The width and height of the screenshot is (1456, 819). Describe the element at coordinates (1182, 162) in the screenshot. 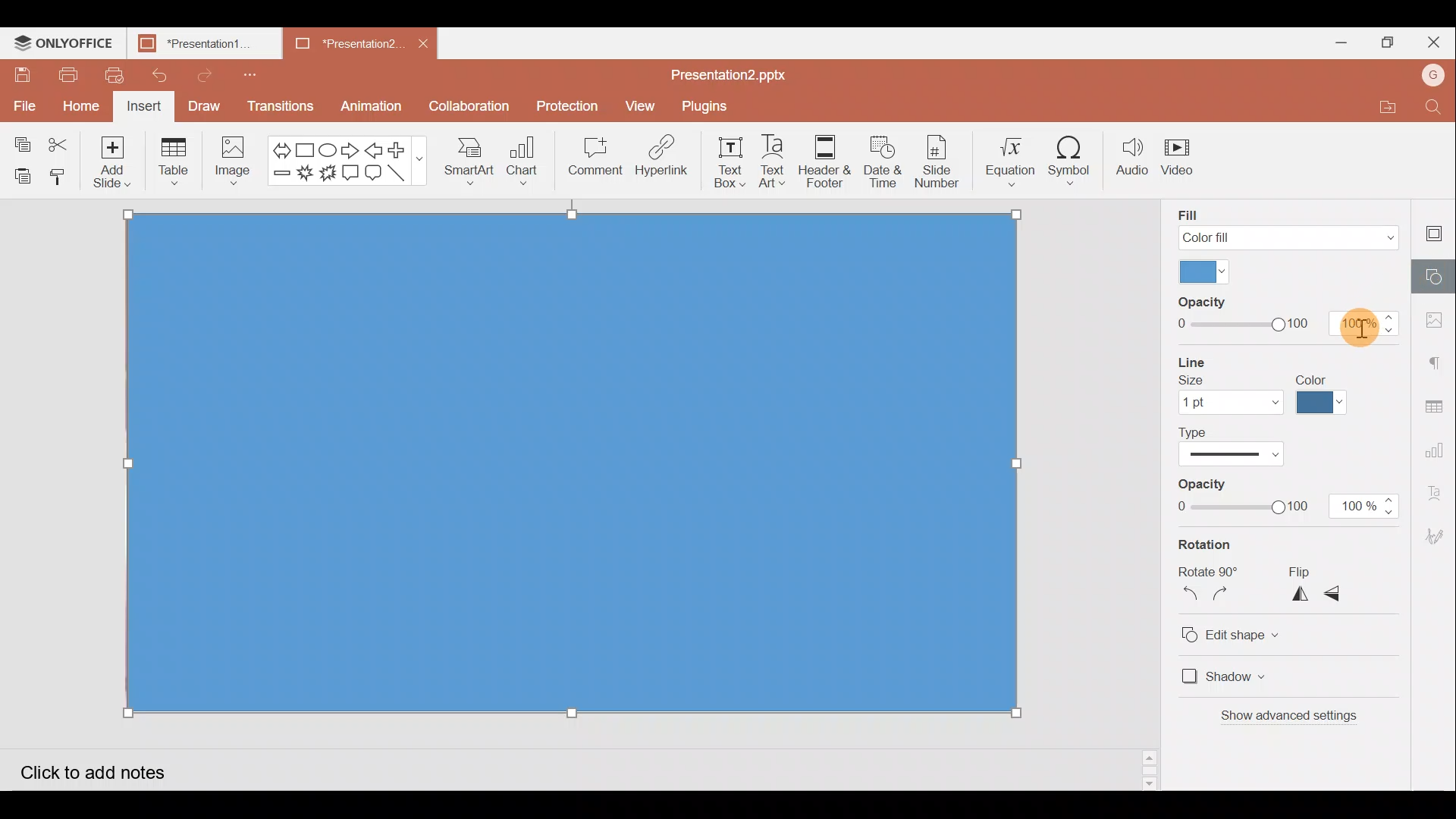

I see `Video` at that location.